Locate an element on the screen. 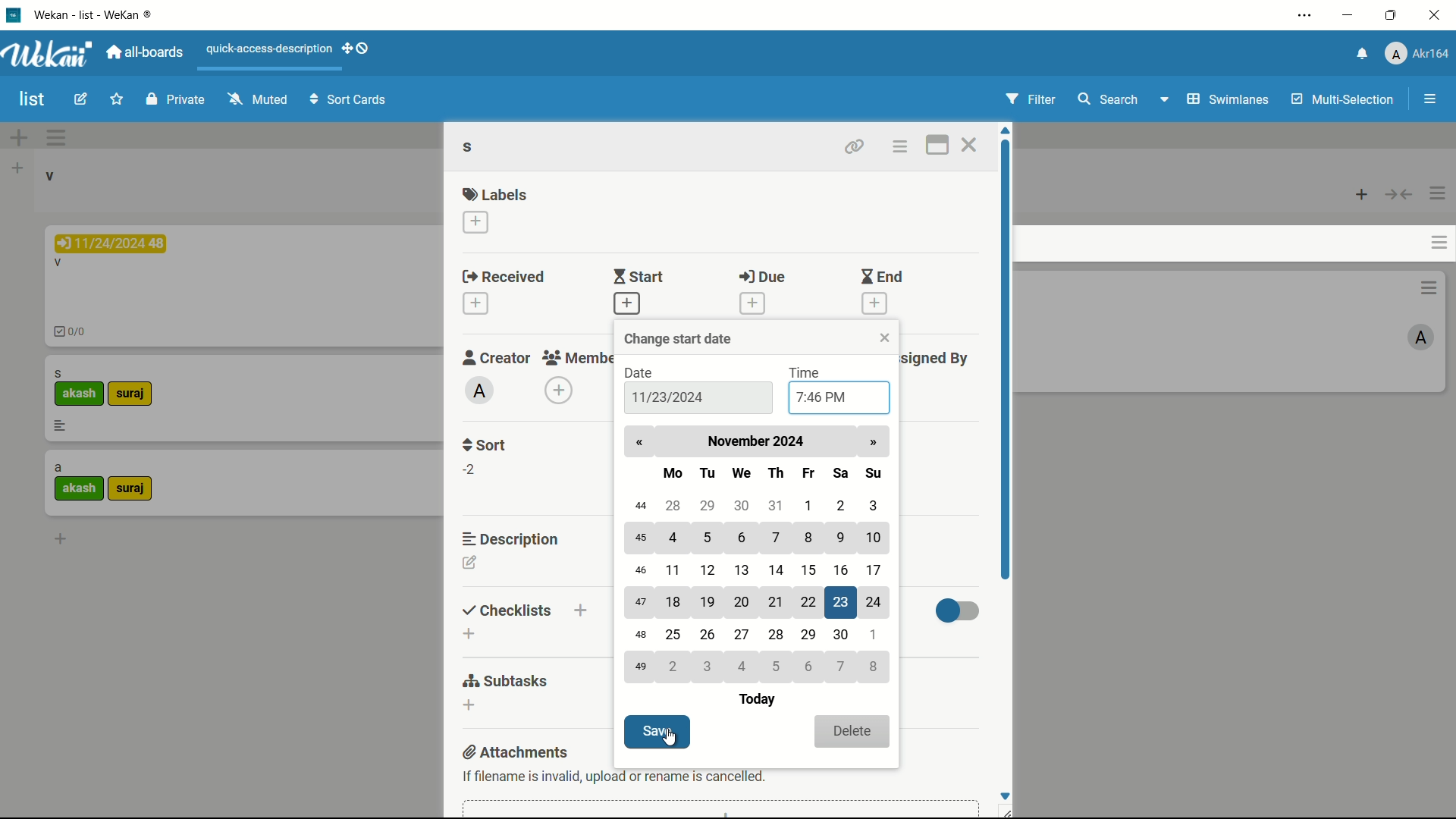 This screenshot has width=1456, height=819. description is located at coordinates (60, 425).